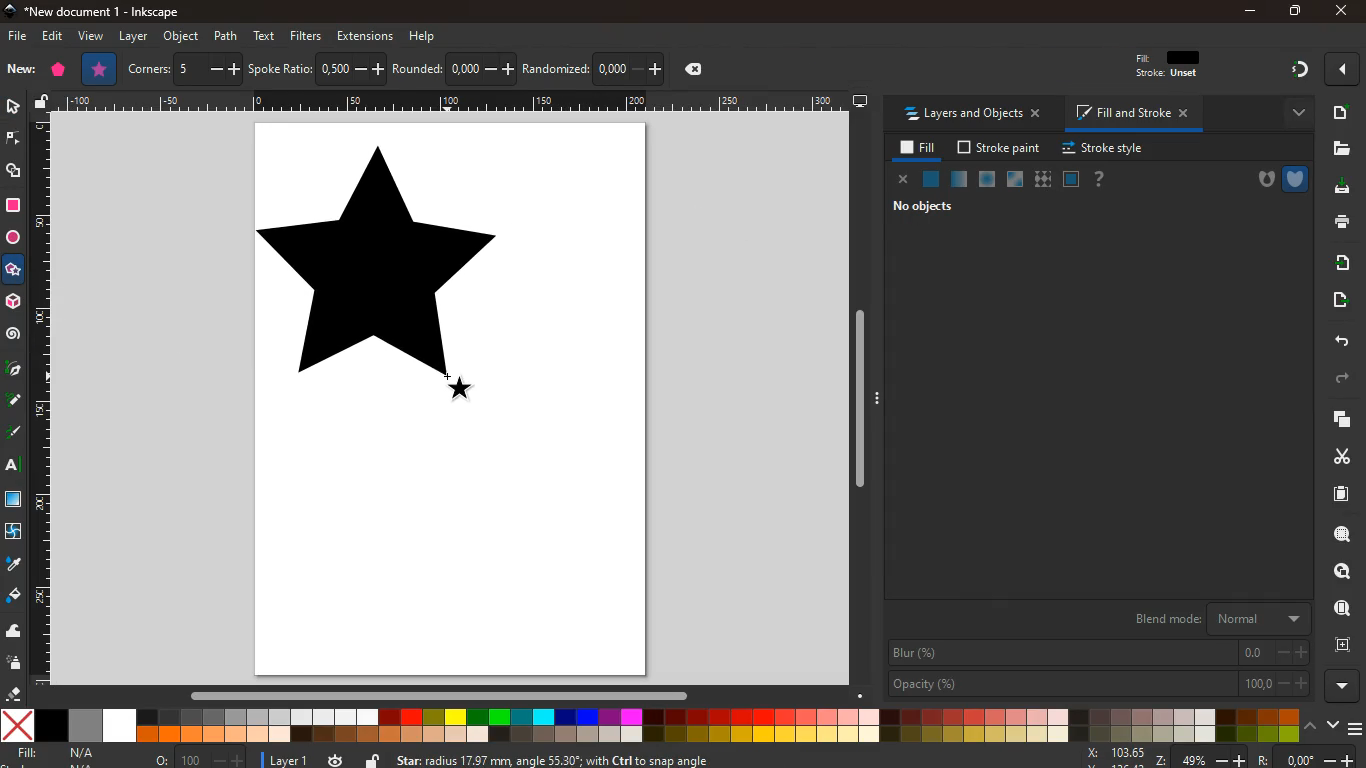 This screenshot has width=1366, height=768. Describe the element at coordinates (1337, 342) in the screenshot. I see `back` at that location.